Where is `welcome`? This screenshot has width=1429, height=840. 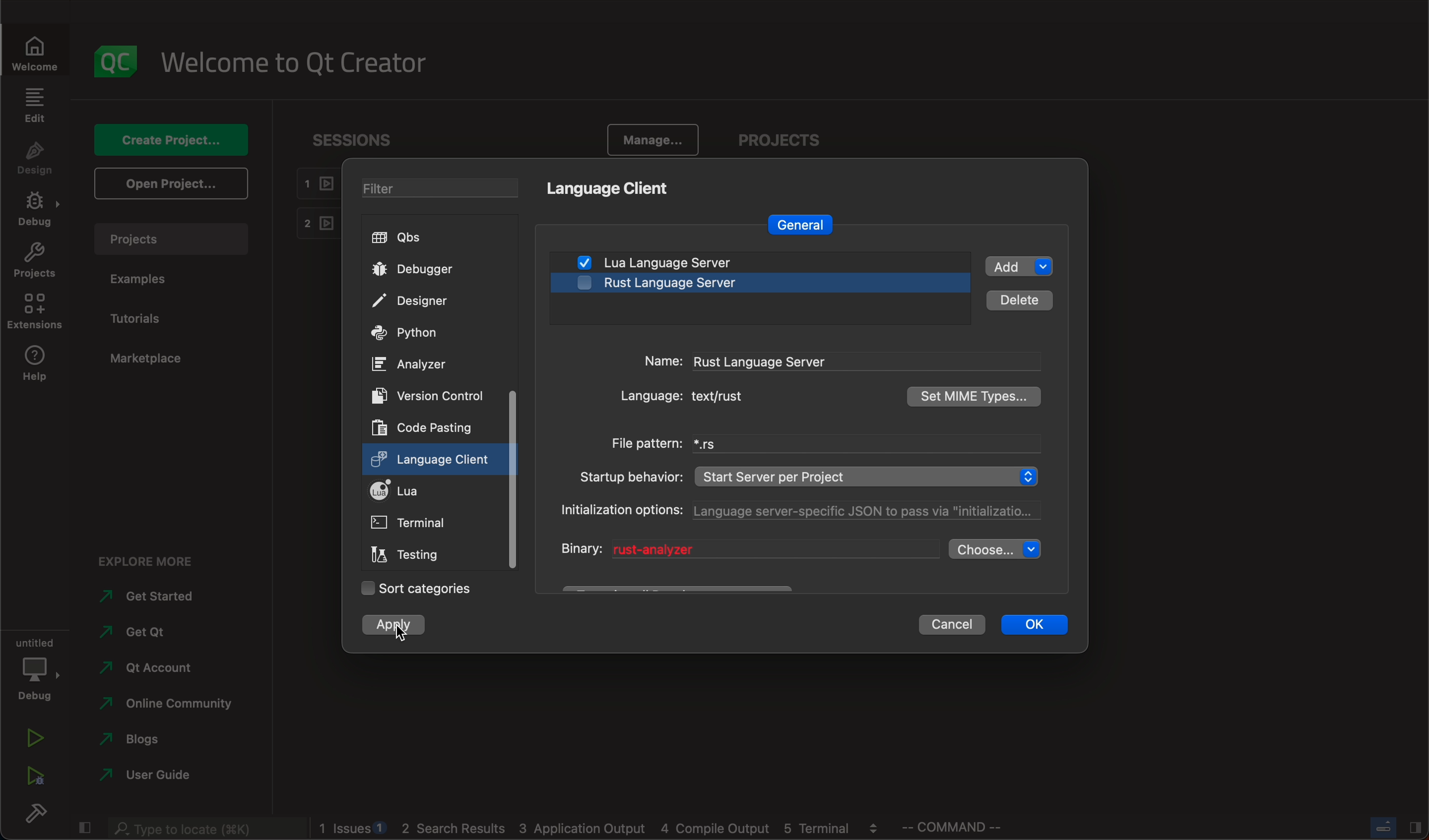 welcome is located at coordinates (293, 63).